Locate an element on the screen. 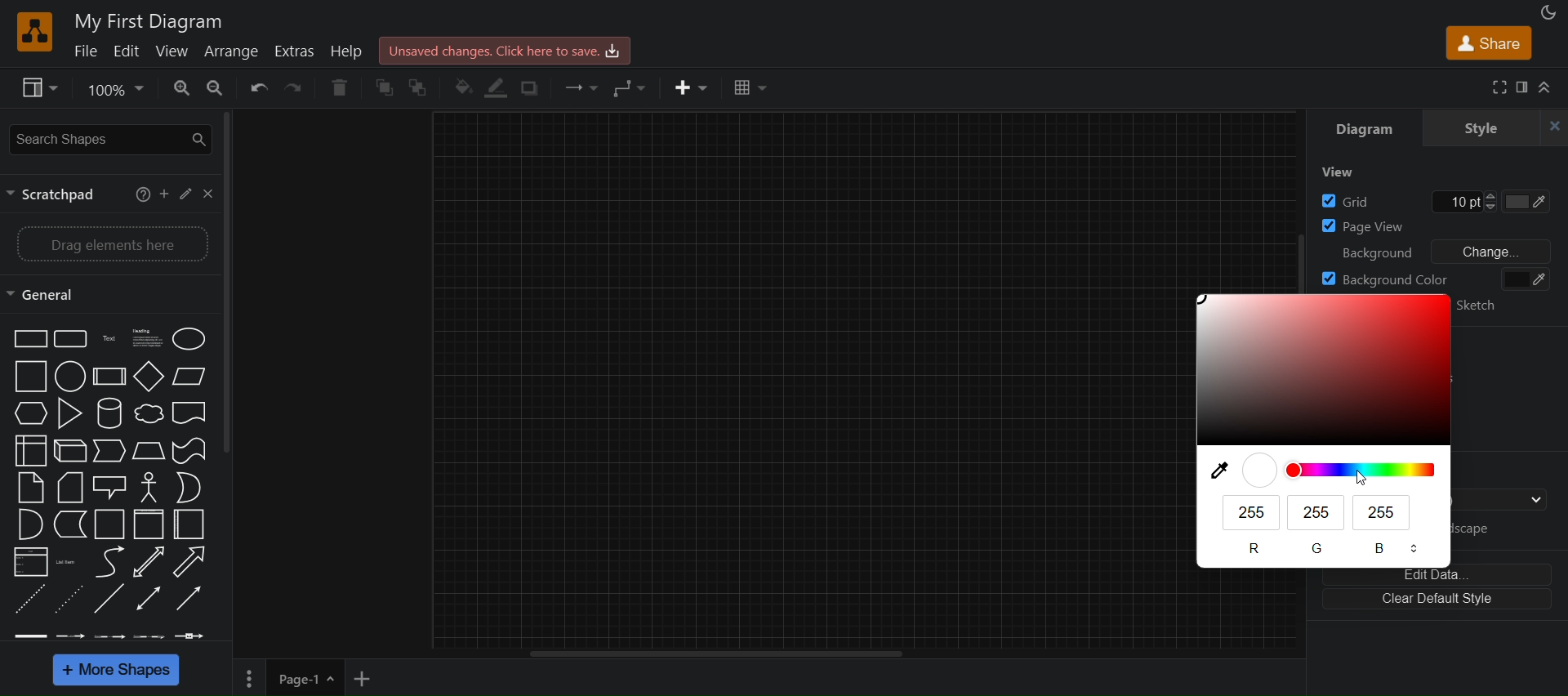  edit is located at coordinates (186, 194).